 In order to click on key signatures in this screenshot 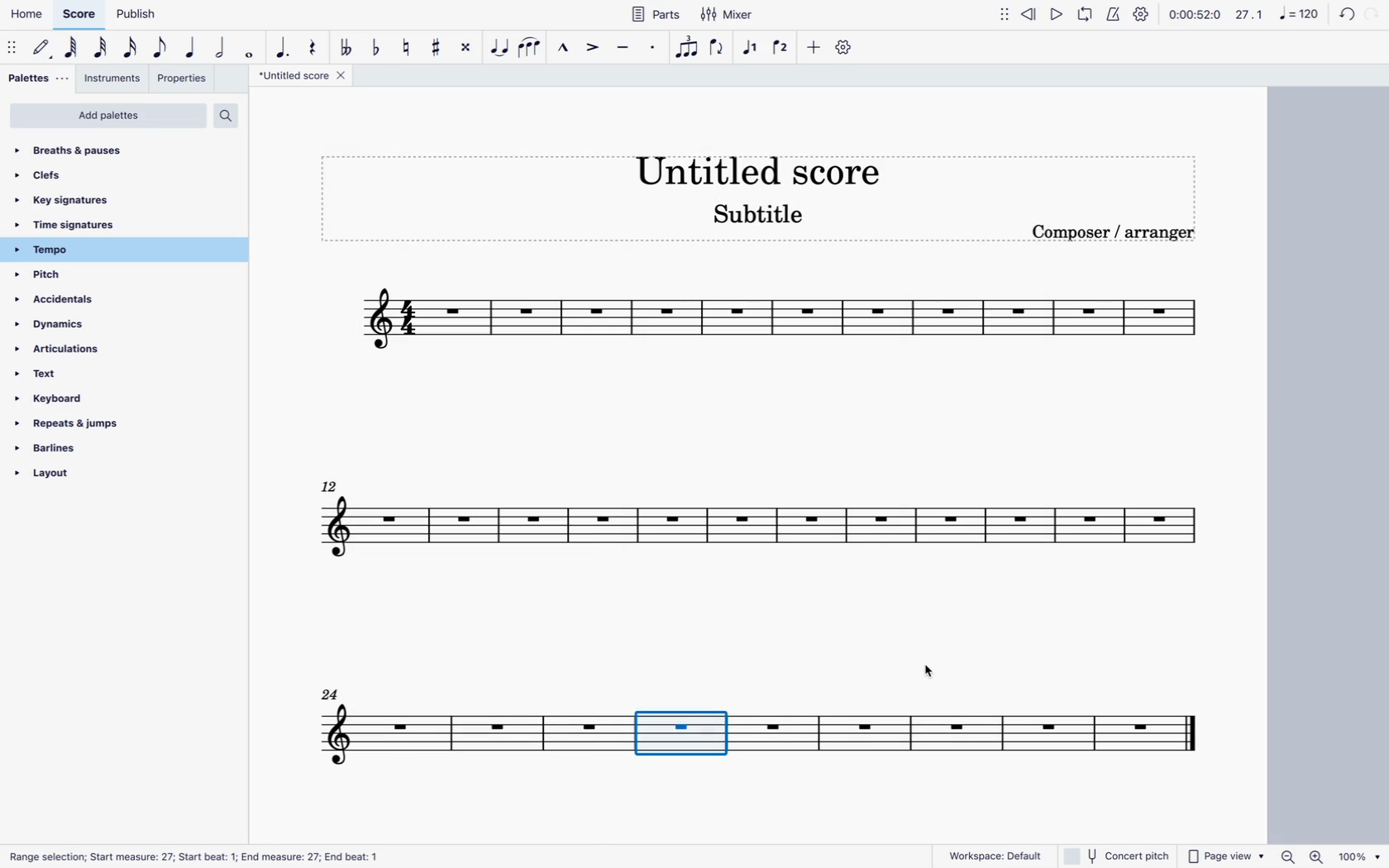, I will do `click(65, 202)`.